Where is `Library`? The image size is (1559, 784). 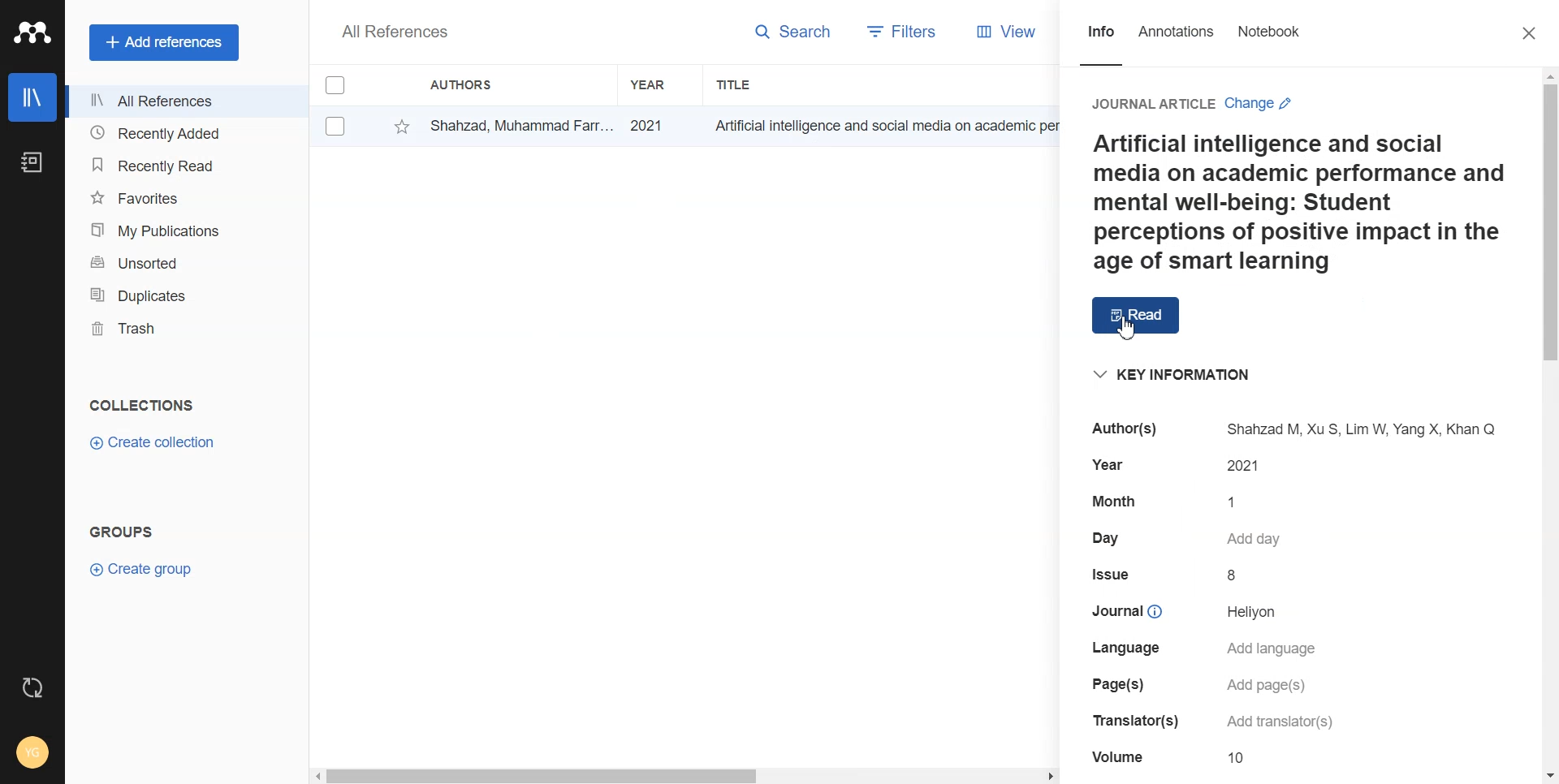
Library is located at coordinates (33, 97).